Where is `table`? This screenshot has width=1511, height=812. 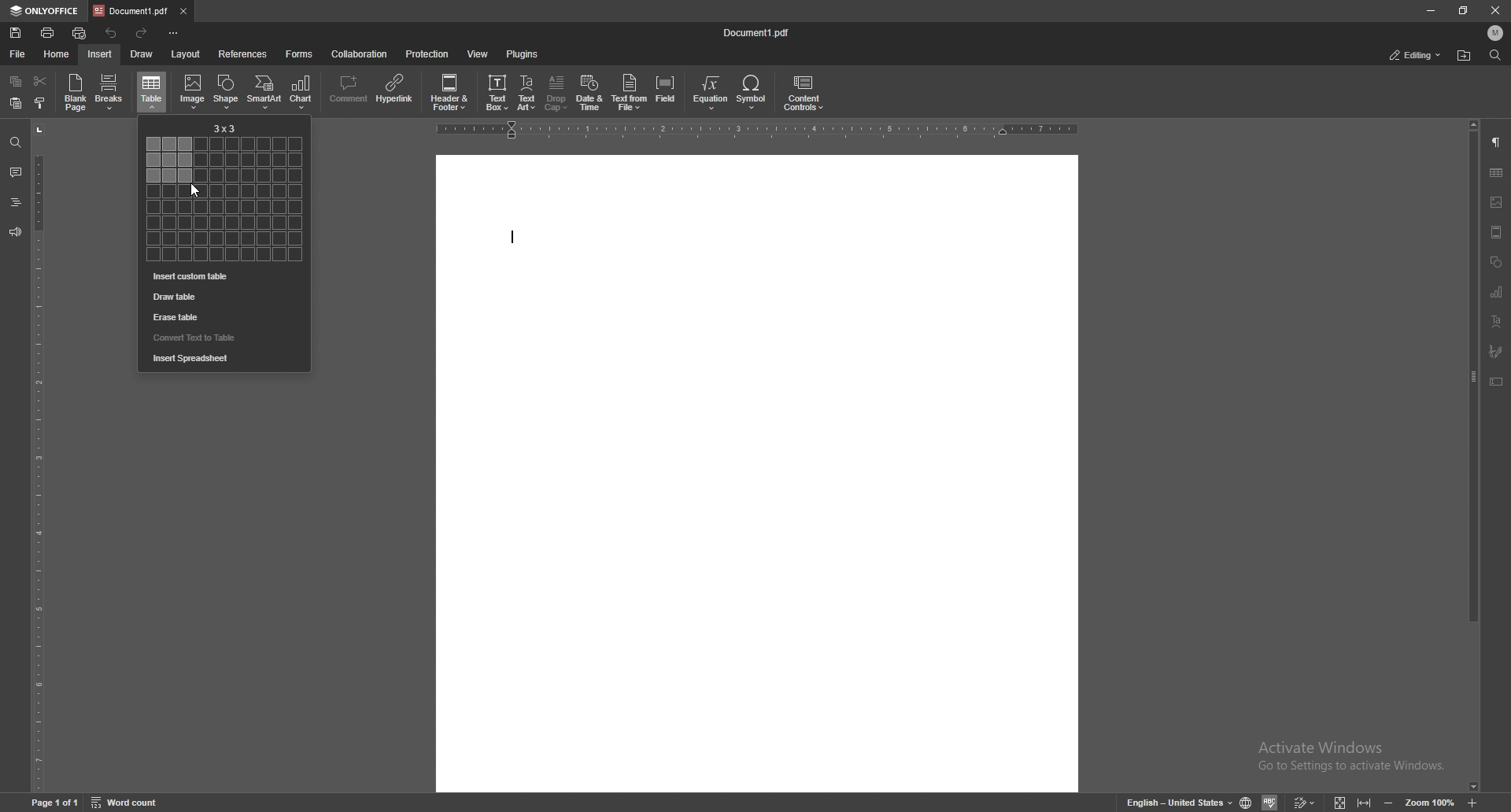 table is located at coordinates (1498, 172).